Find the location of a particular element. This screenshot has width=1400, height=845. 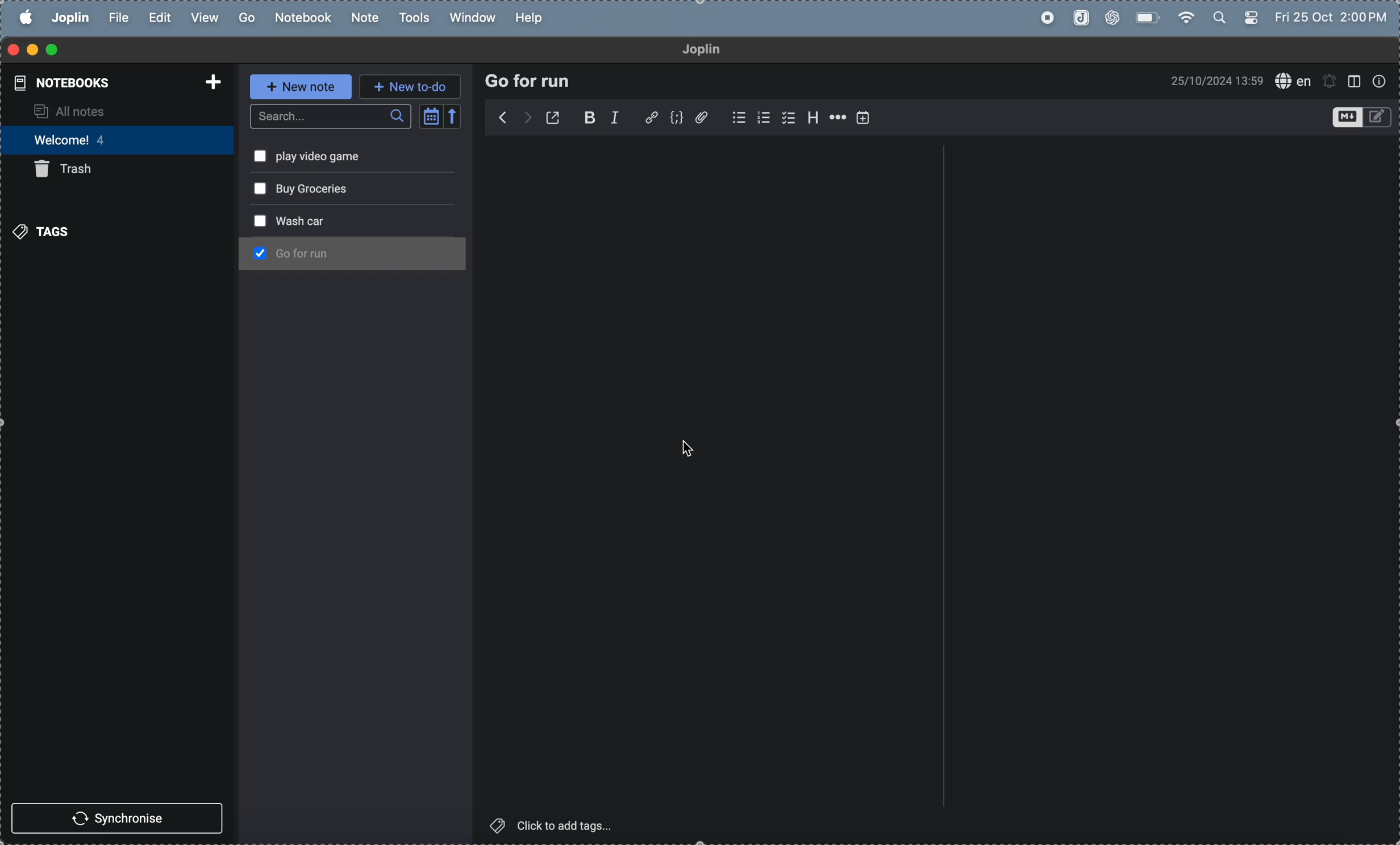

new to do is located at coordinates (413, 86).